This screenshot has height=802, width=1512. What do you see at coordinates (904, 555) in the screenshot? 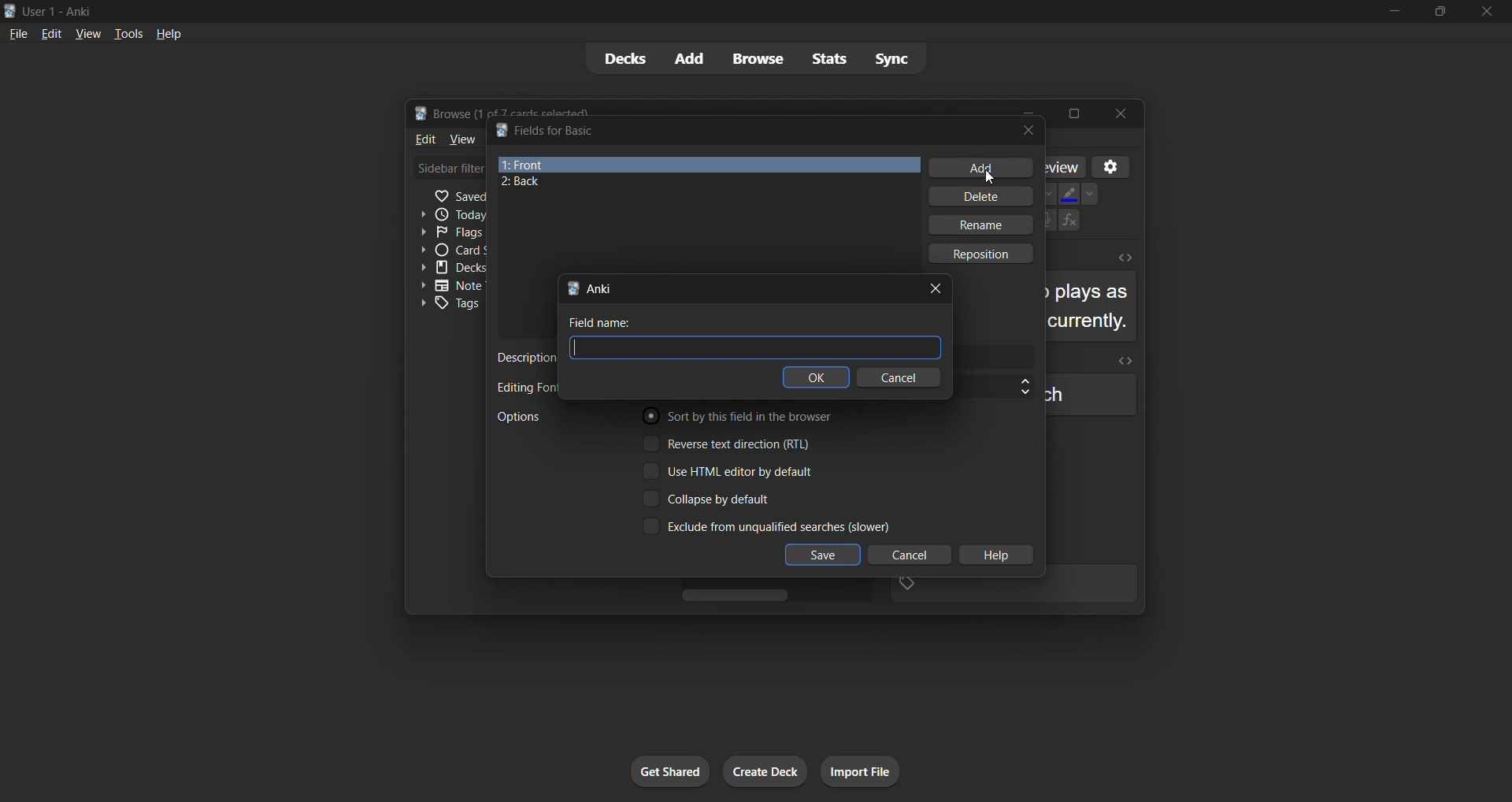
I see `cancel` at bounding box center [904, 555].